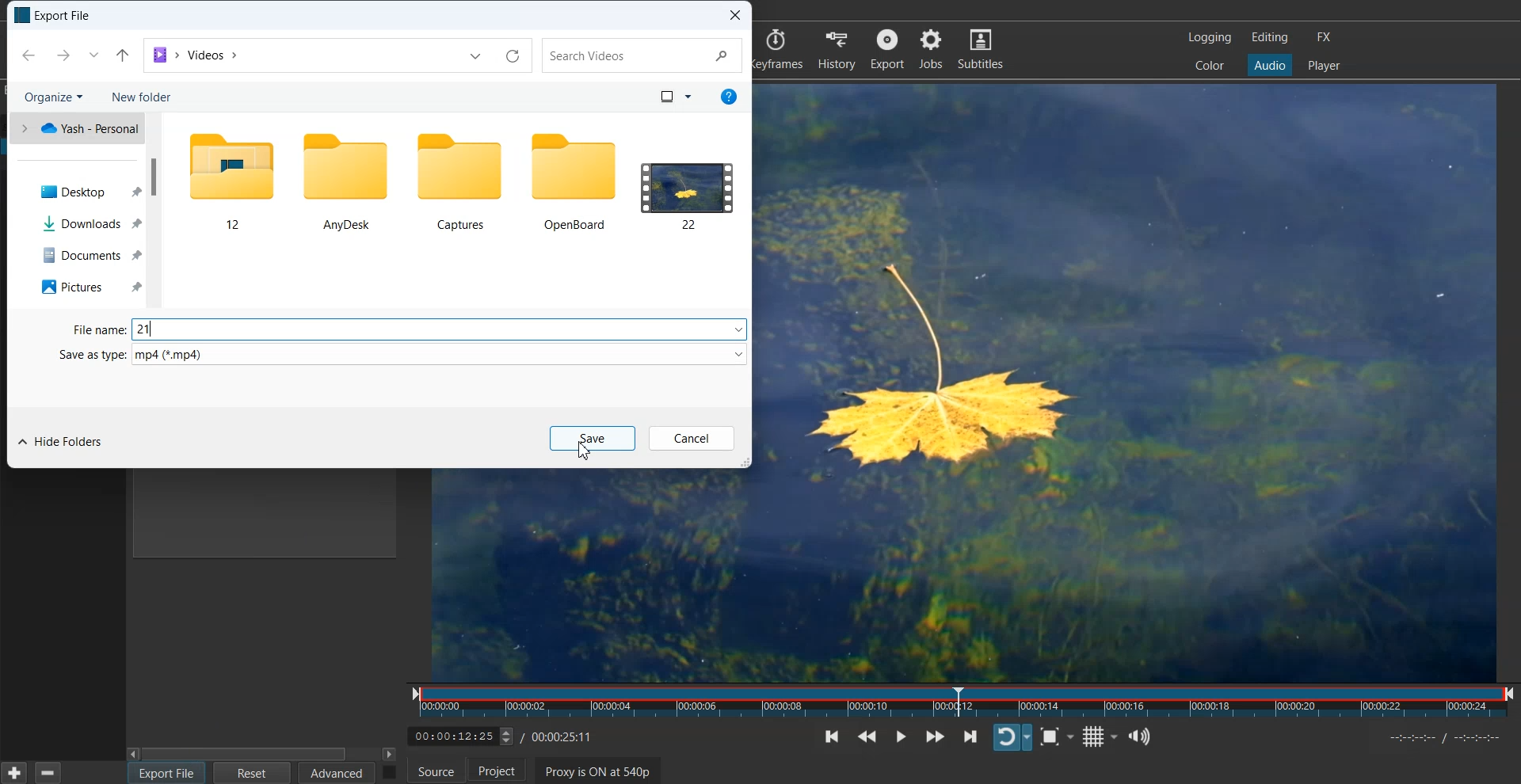 The image size is (1521, 784). What do you see at coordinates (88, 191) in the screenshot?
I see `Dekstop` at bounding box center [88, 191].